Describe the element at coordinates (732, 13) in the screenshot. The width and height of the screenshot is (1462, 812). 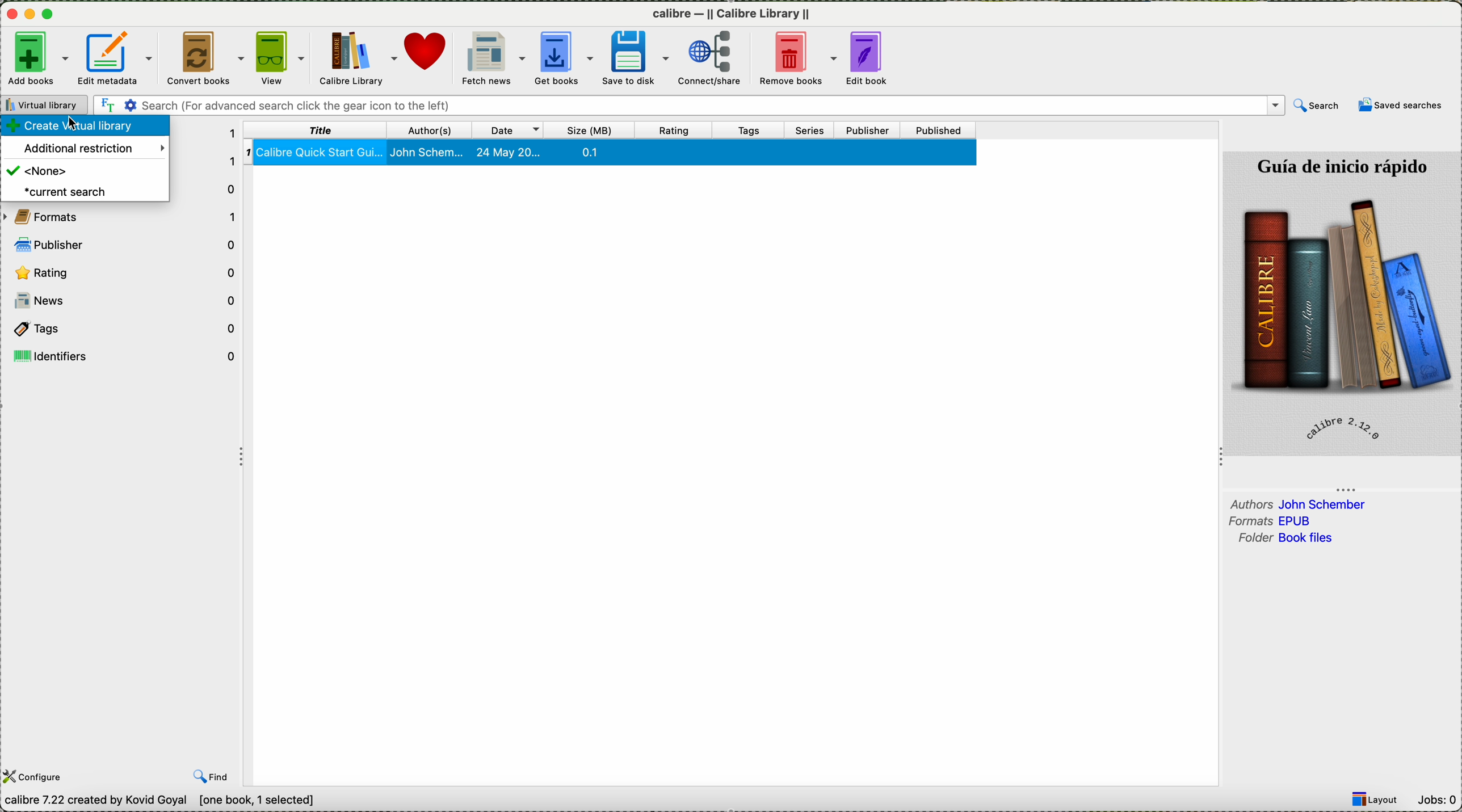
I see `calibre -II Callibre Library II` at that location.